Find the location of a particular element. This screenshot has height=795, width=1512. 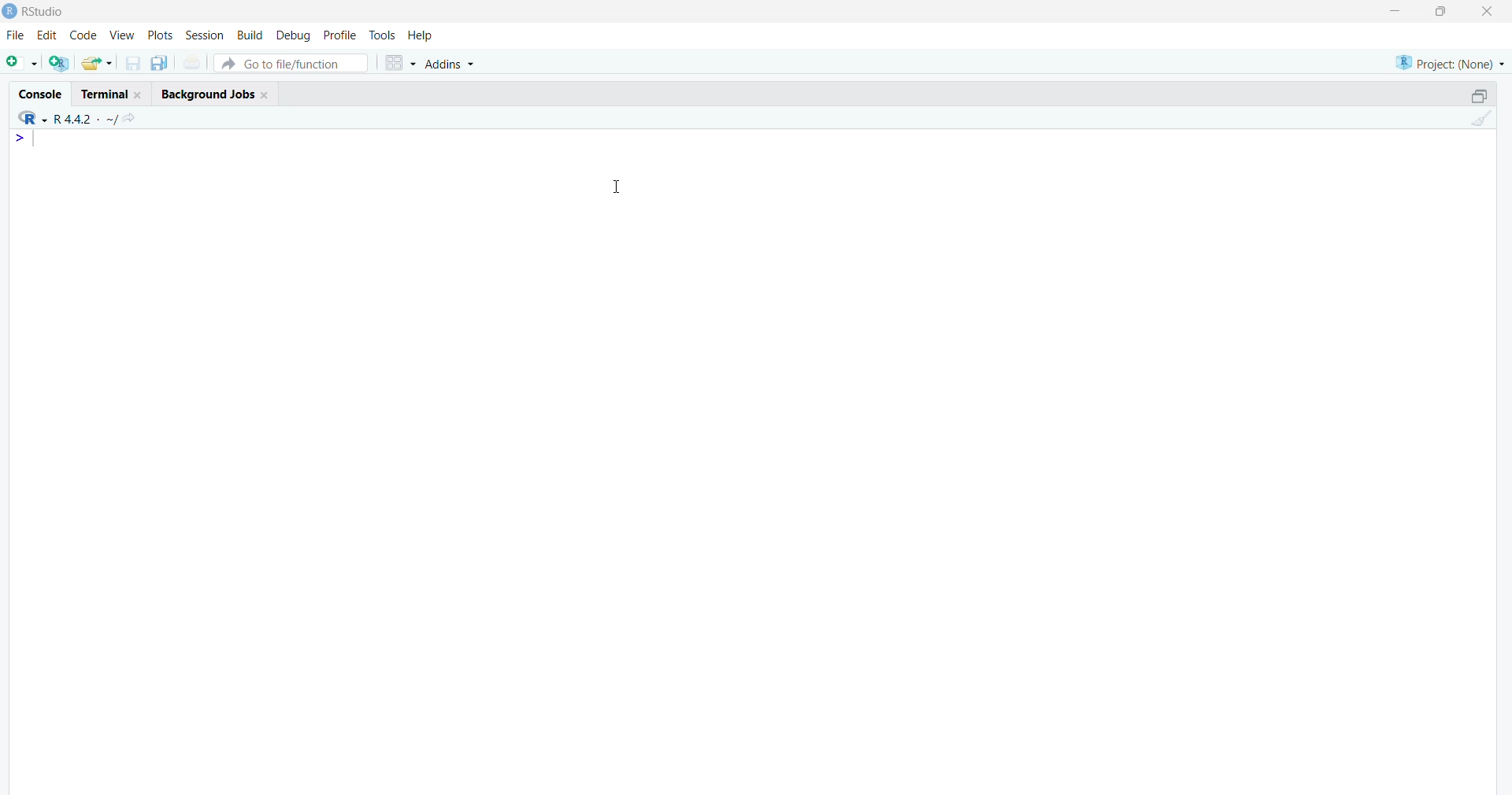

view the current working directory is located at coordinates (130, 120).